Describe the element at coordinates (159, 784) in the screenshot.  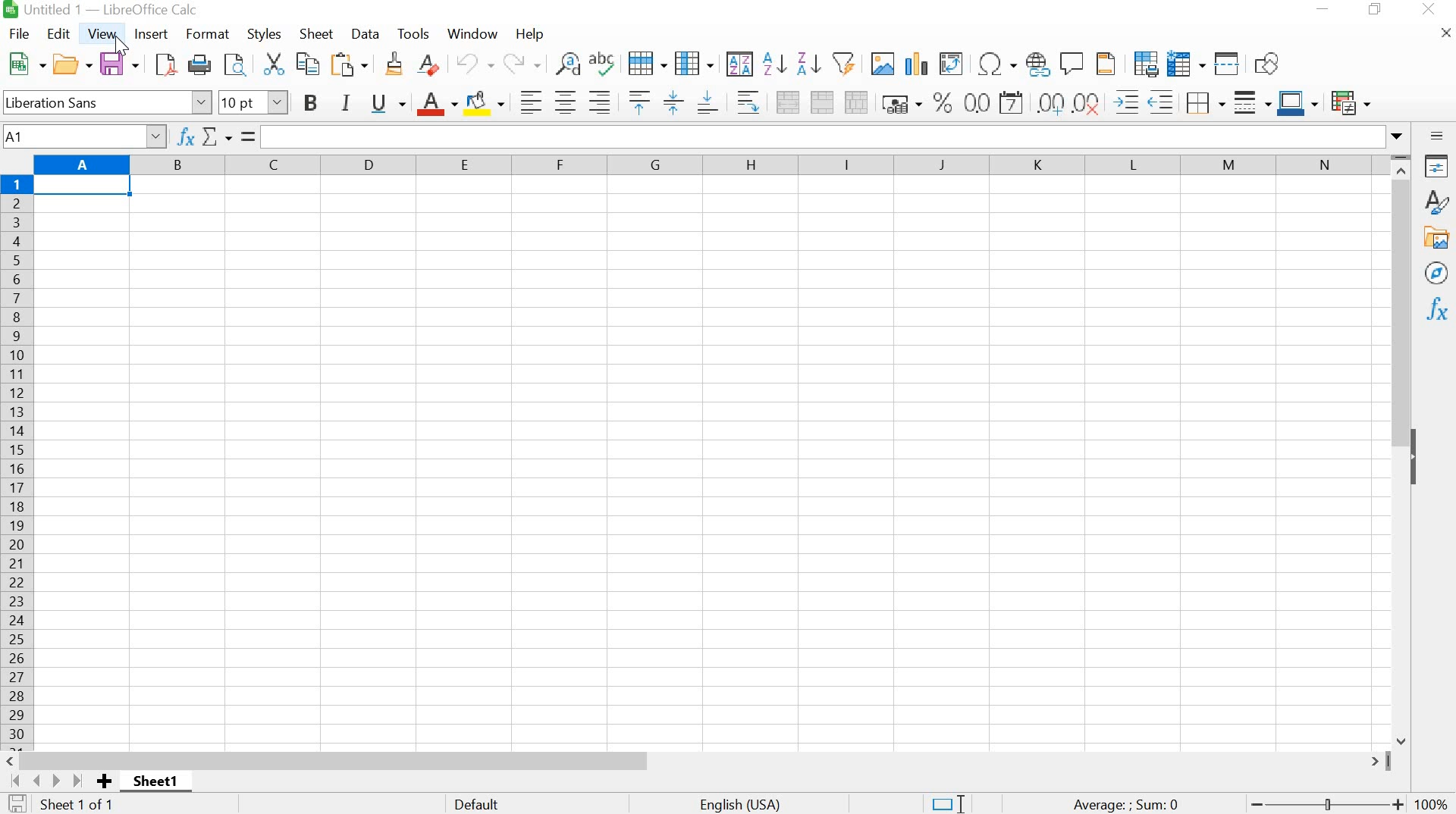
I see `SHEET` at that location.